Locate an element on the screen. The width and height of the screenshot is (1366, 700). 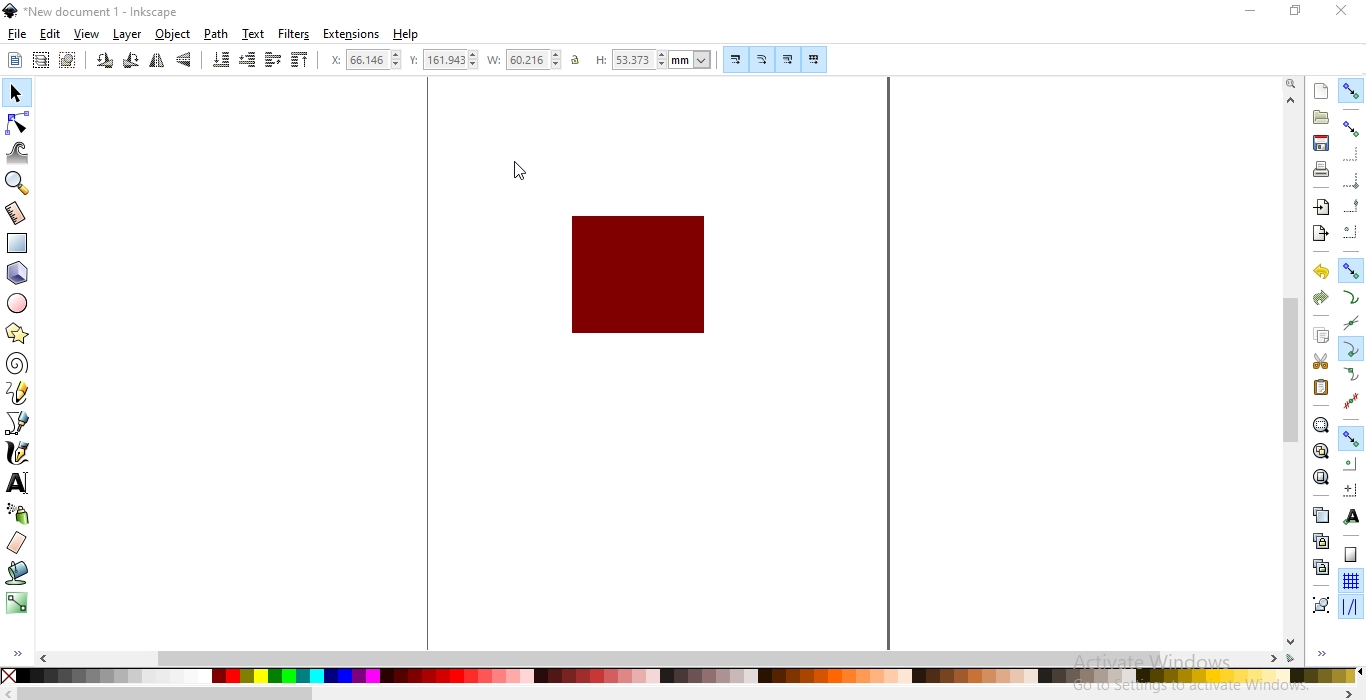
enable snapping is located at coordinates (1352, 89).